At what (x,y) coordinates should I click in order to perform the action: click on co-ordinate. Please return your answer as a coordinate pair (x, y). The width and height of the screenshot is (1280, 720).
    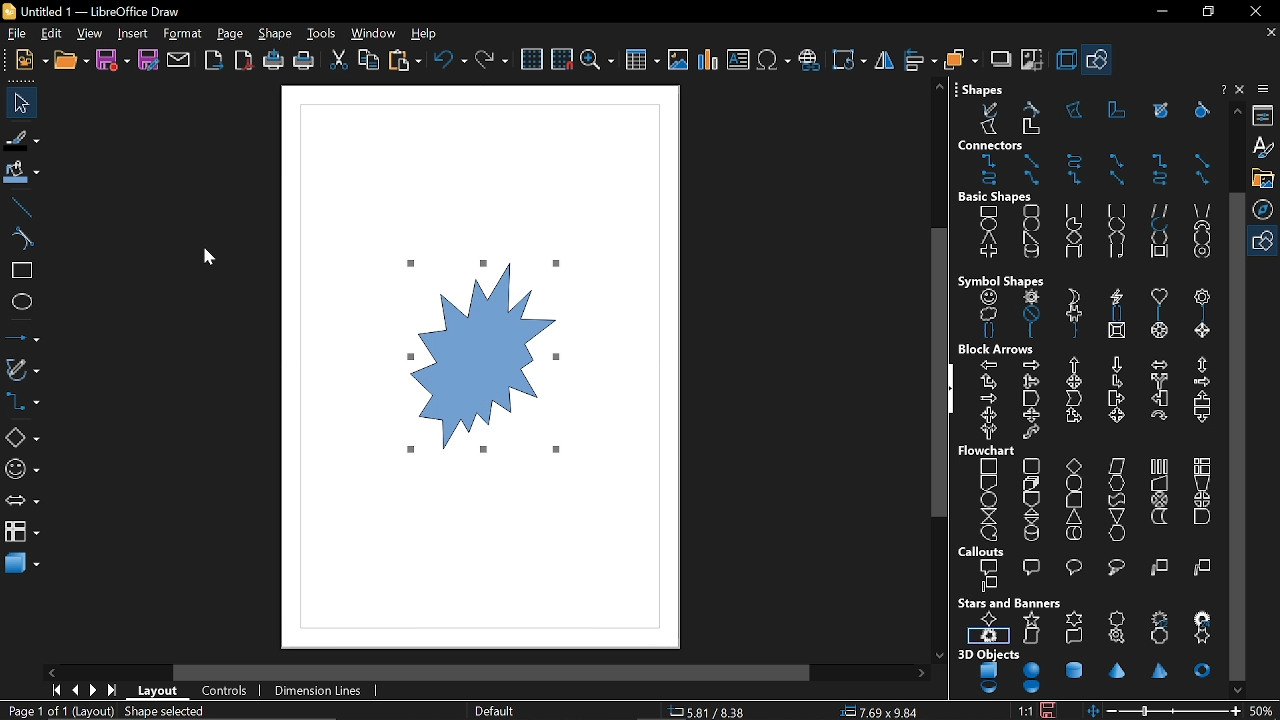
    Looking at the image, I should click on (715, 712).